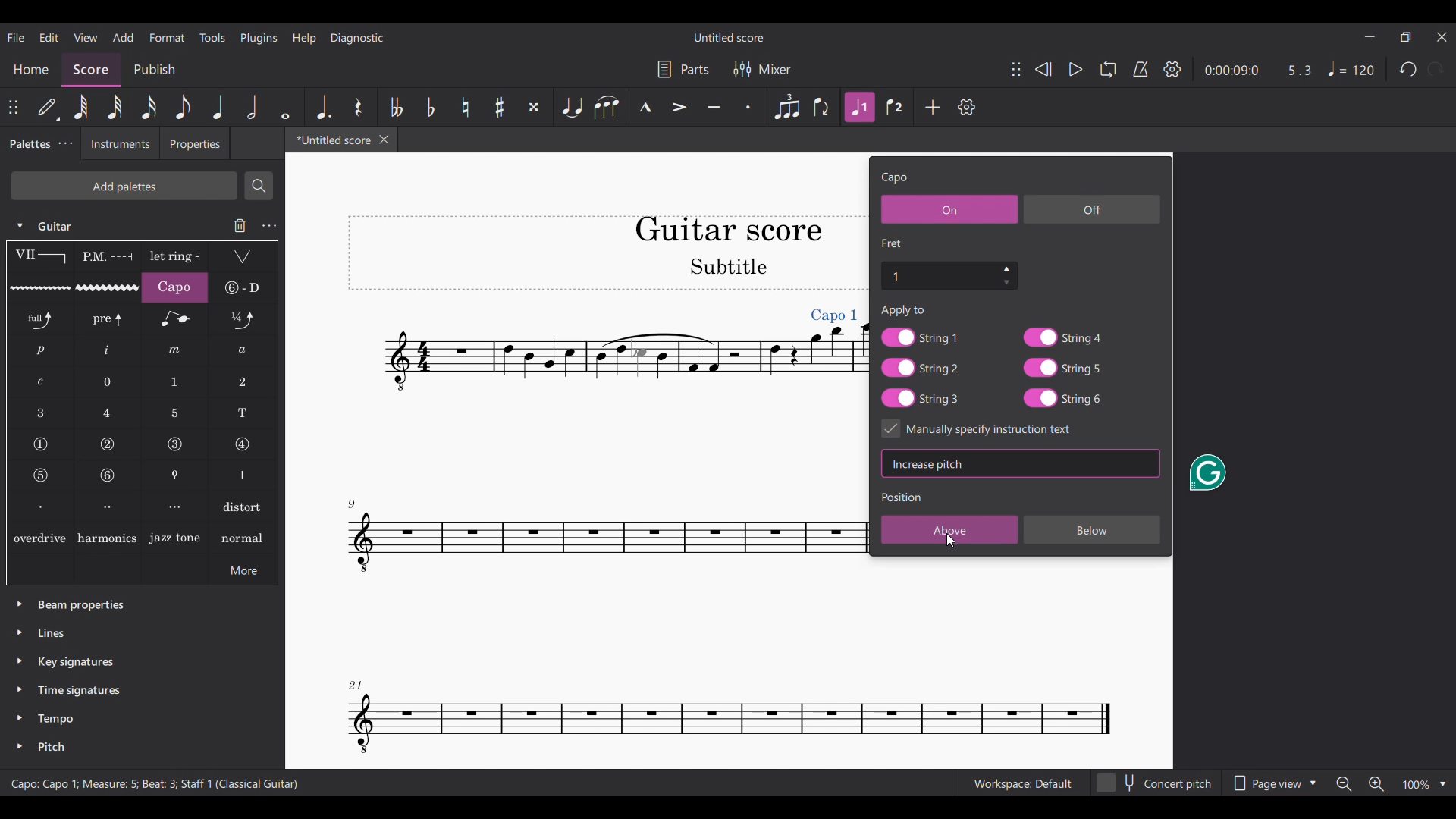  Describe the element at coordinates (1141, 69) in the screenshot. I see `Metronome` at that location.